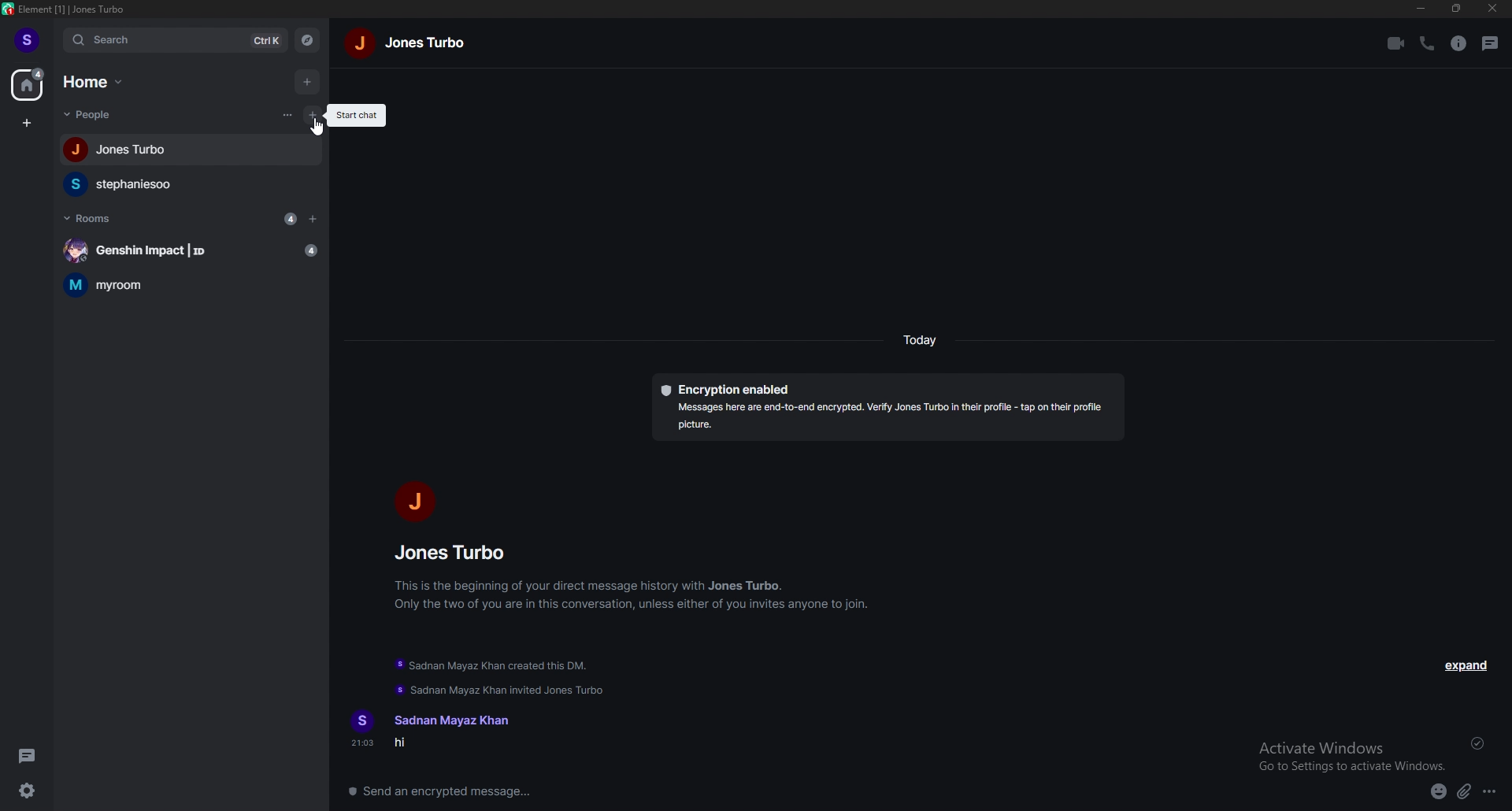 This screenshot has height=811, width=1512. What do you see at coordinates (28, 39) in the screenshot?
I see `s` at bounding box center [28, 39].